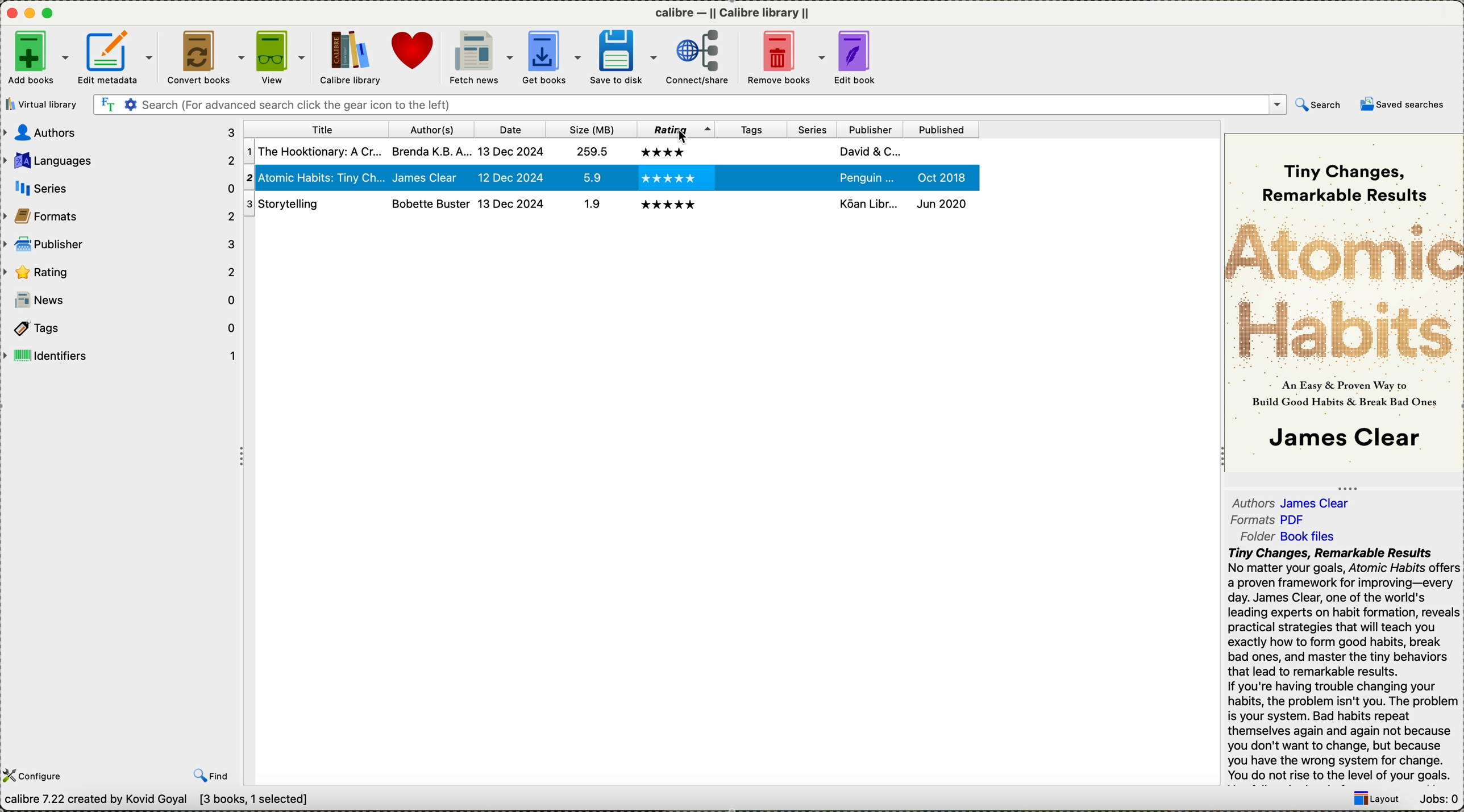 Image resolution: width=1464 pixels, height=812 pixels. What do you see at coordinates (38, 60) in the screenshot?
I see `add books` at bounding box center [38, 60].